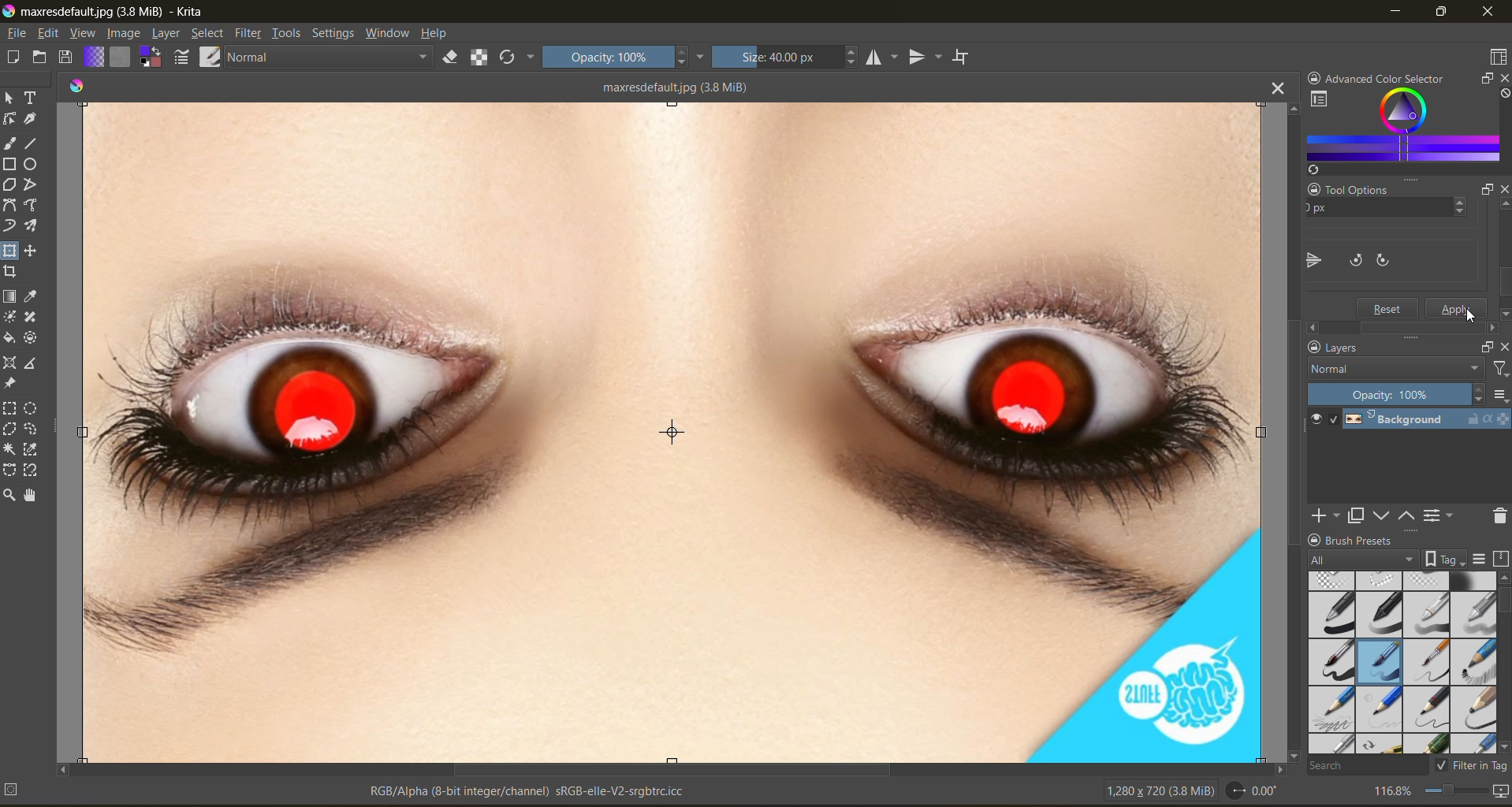 The image size is (1512, 807). Describe the element at coordinates (43, 59) in the screenshot. I see `open` at that location.